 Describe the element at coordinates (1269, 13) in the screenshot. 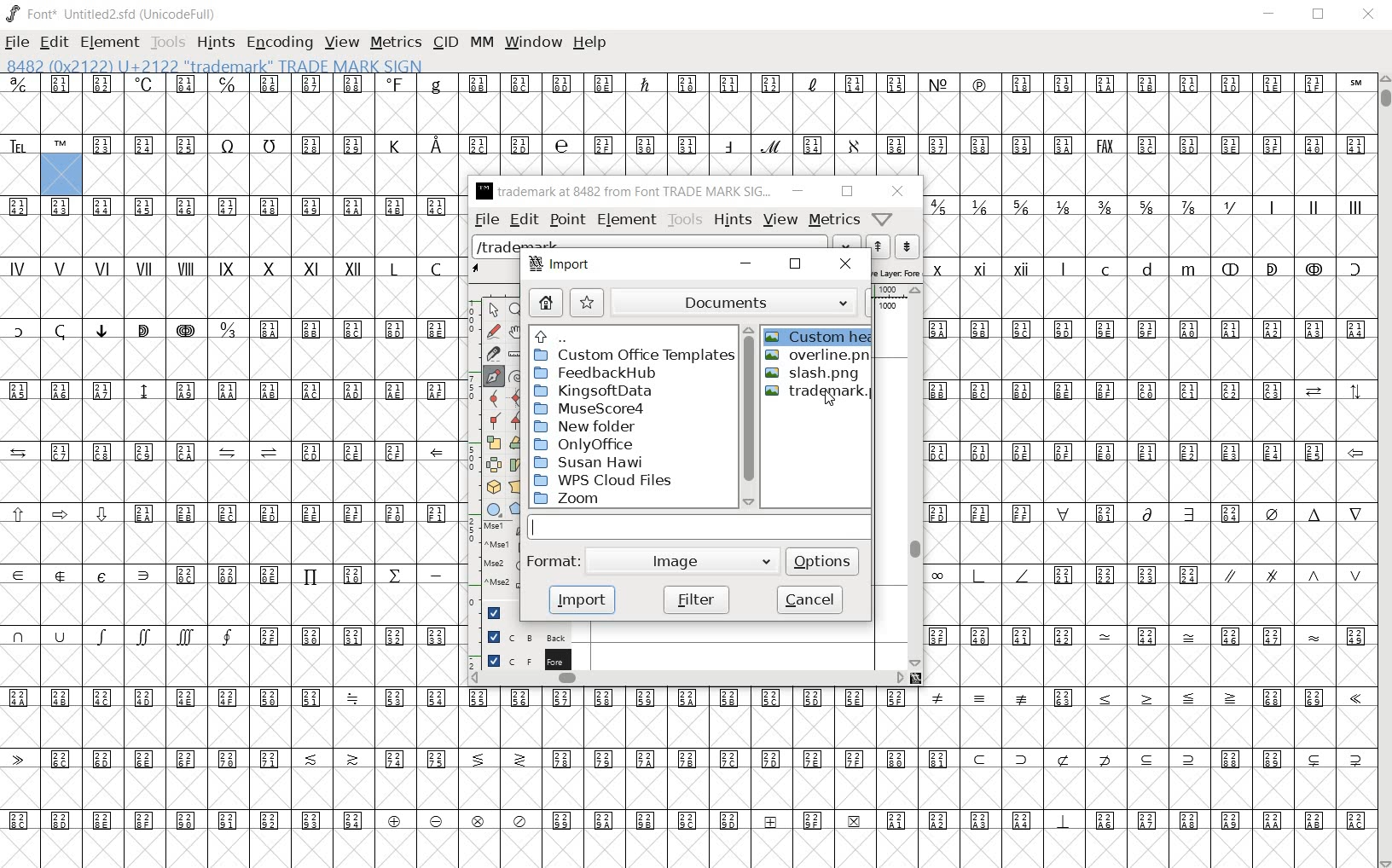

I see `MINIMIZE` at that location.